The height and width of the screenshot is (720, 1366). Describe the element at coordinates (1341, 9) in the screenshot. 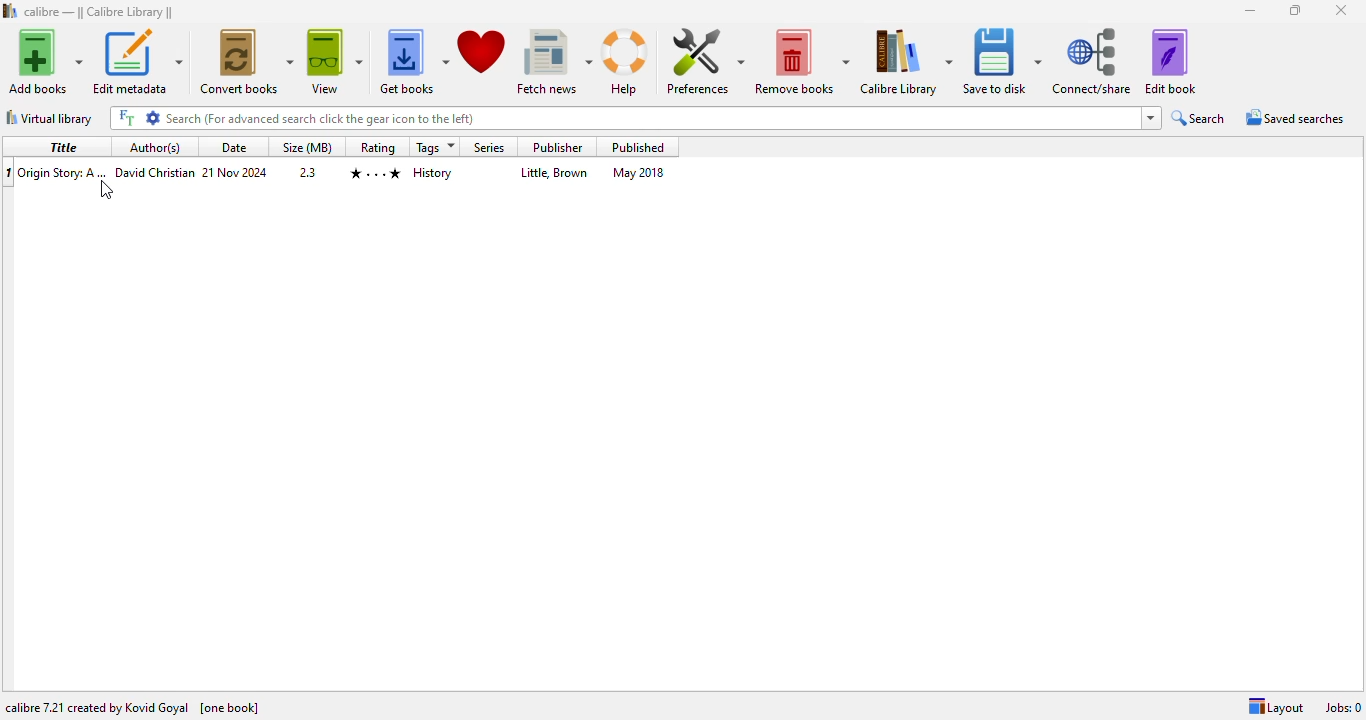

I see `close` at that location.